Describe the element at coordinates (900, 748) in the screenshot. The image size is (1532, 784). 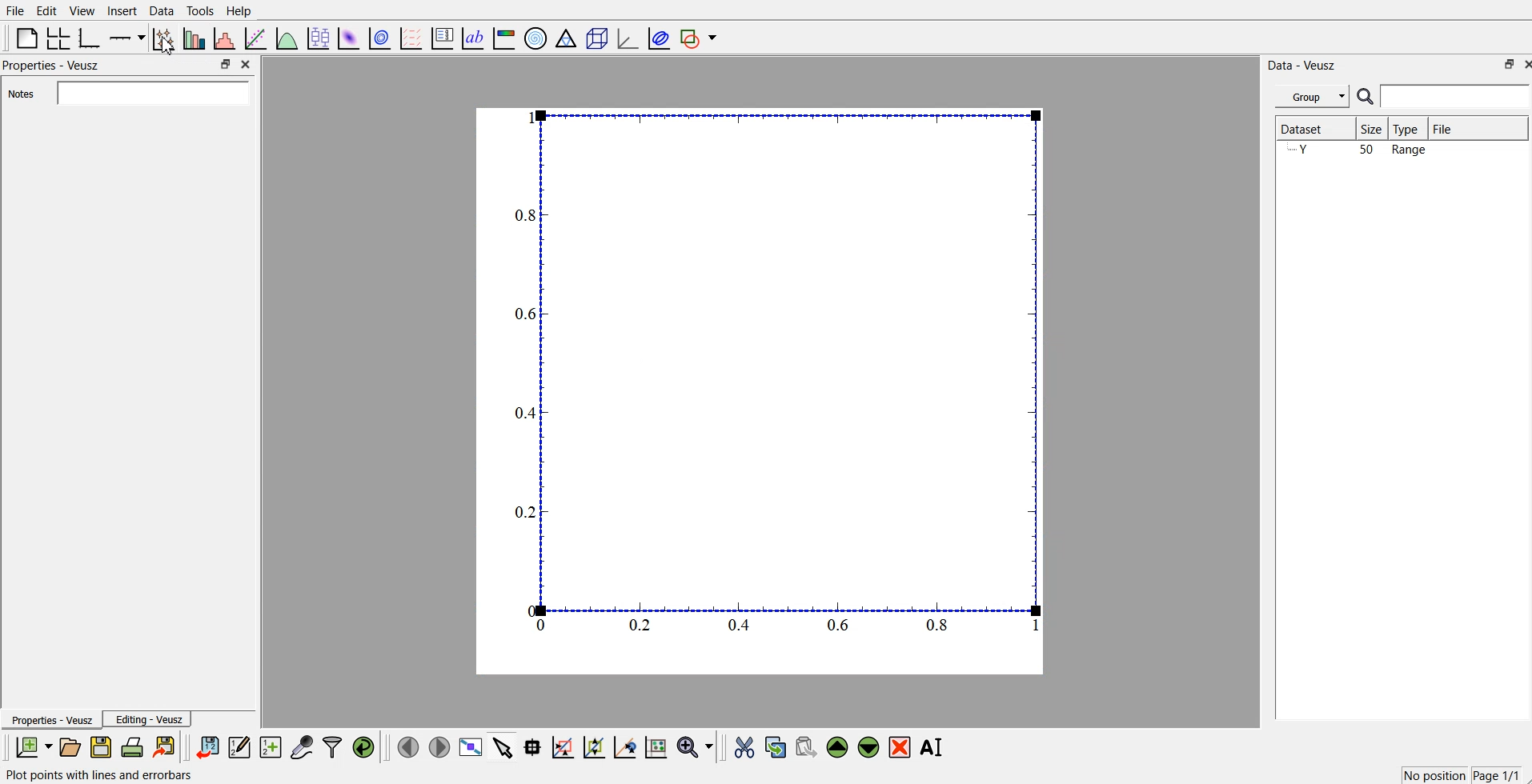
I see `remove the selected widgets` at that location.